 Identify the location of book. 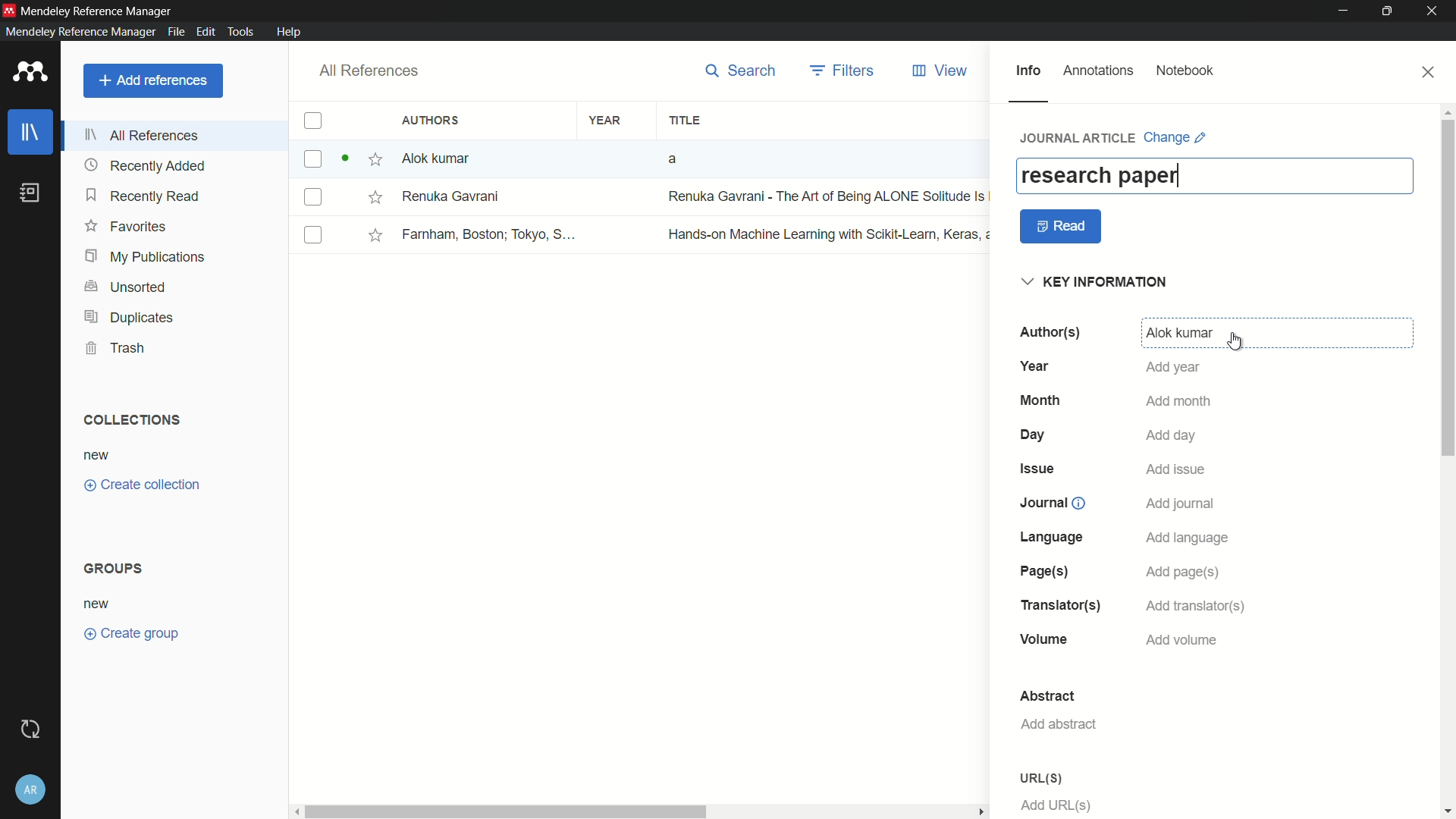
(33, 193).